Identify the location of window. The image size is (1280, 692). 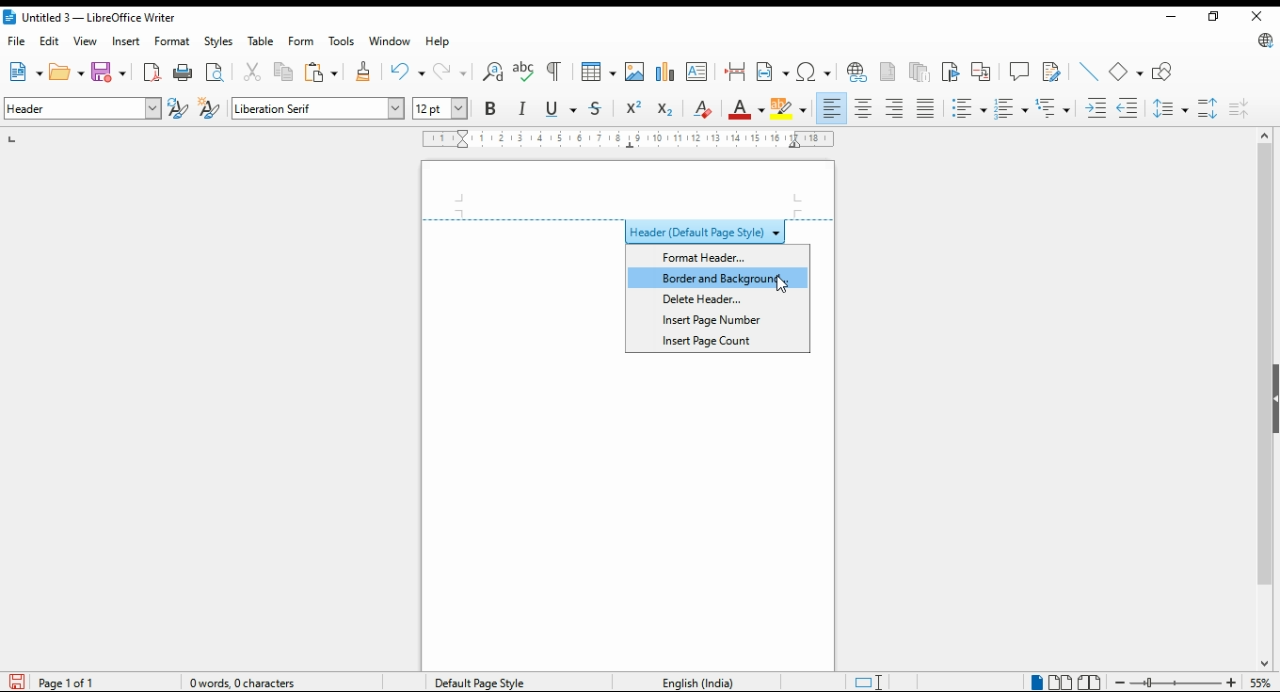
(390, 41).